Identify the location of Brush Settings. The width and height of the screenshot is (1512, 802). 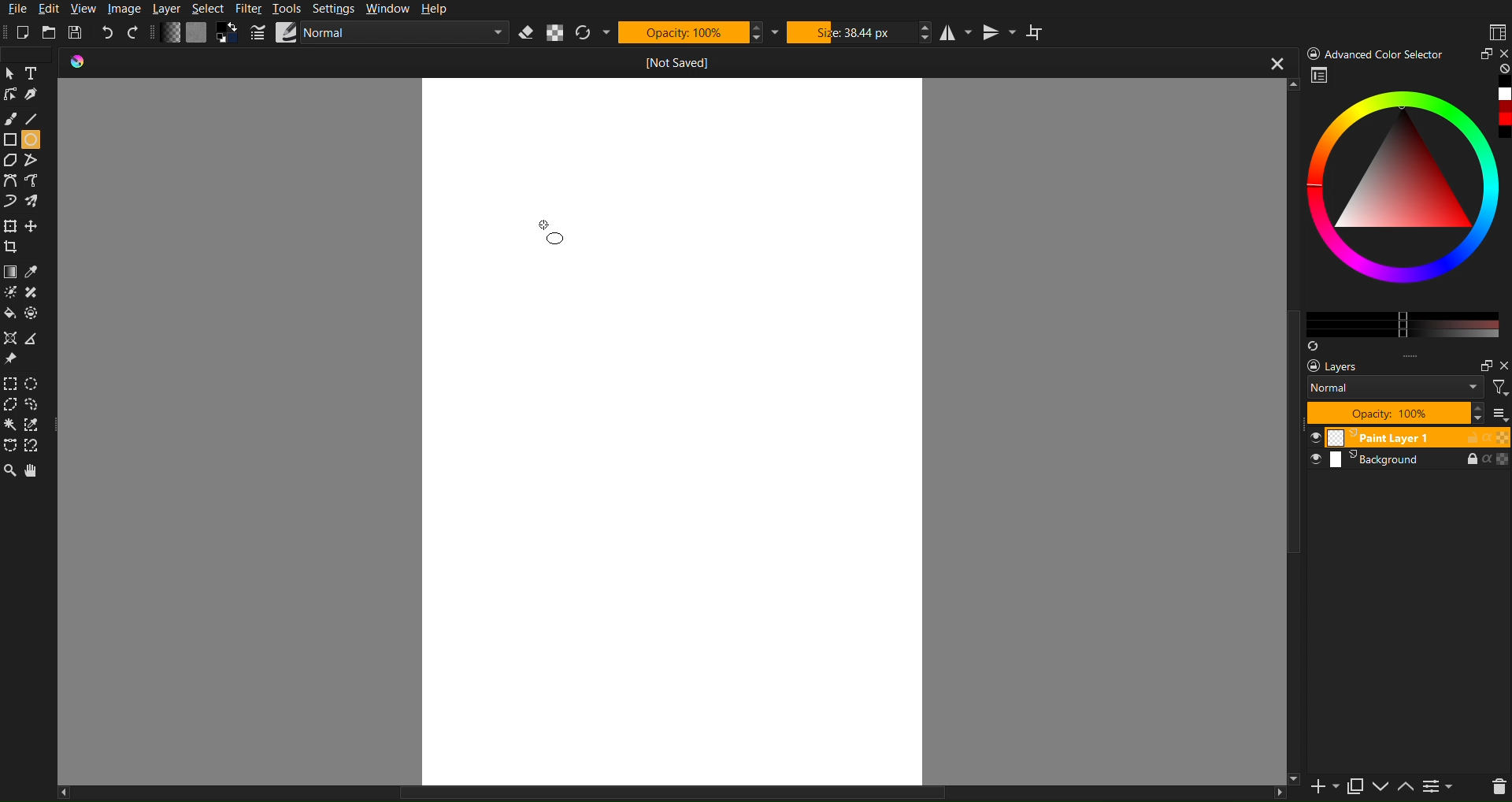
(391, 32).